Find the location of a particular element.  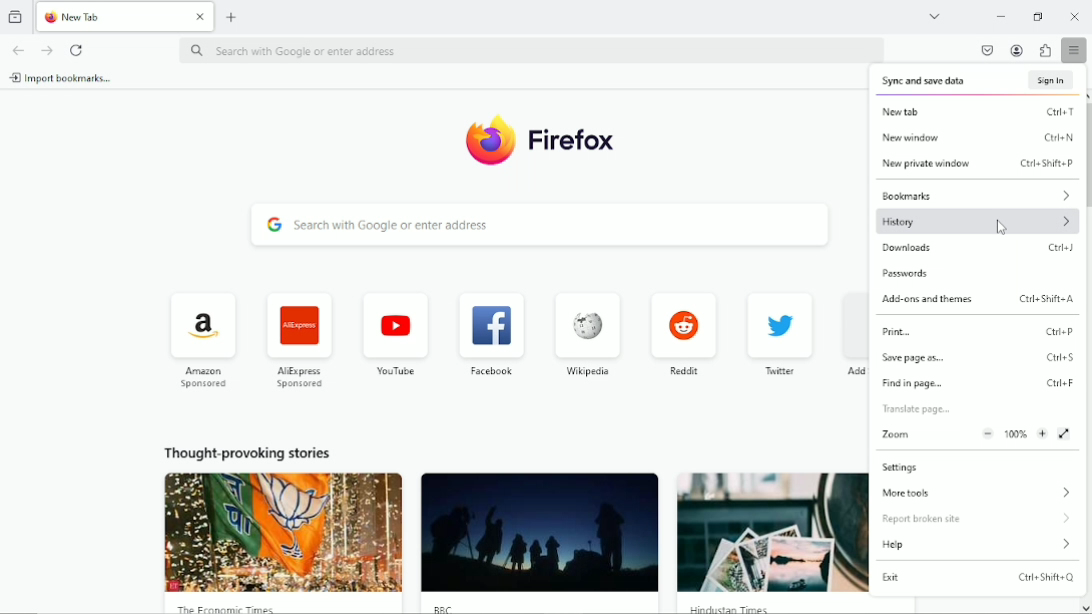

List all tabs is located at coordinates (935, 15).